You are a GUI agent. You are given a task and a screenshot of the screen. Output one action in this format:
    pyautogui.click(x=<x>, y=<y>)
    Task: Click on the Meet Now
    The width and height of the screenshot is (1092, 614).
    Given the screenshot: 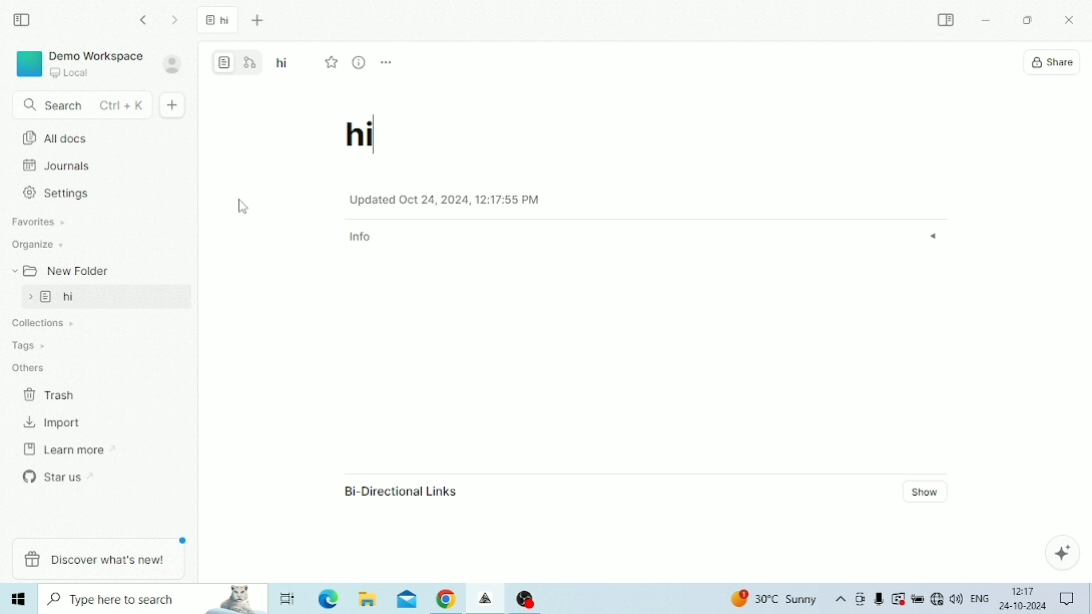 What is the action you would take?
    pyautogui.click(x=860, y=599)
    